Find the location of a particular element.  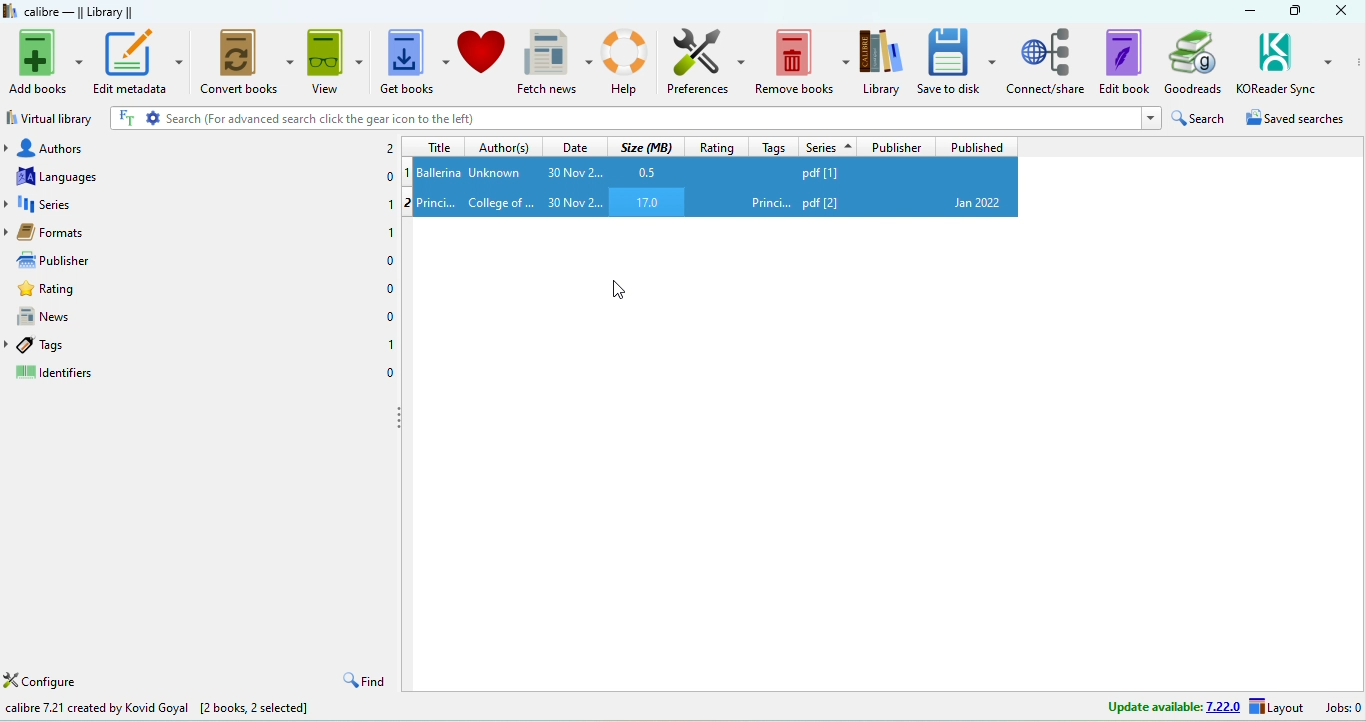

college of ... is located at coordinates (502, 202).